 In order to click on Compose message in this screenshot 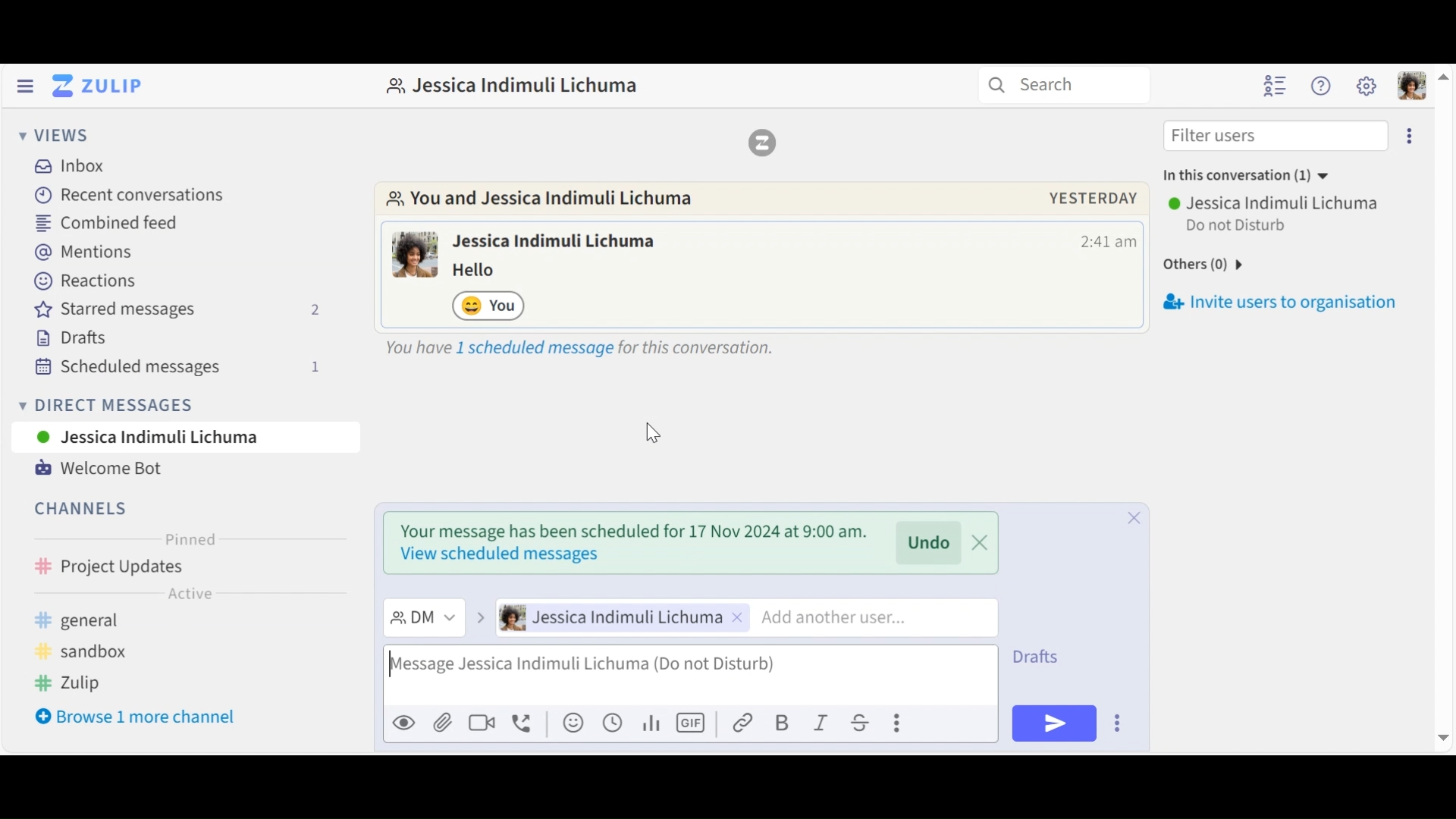, I will do `click(688, 676)`.